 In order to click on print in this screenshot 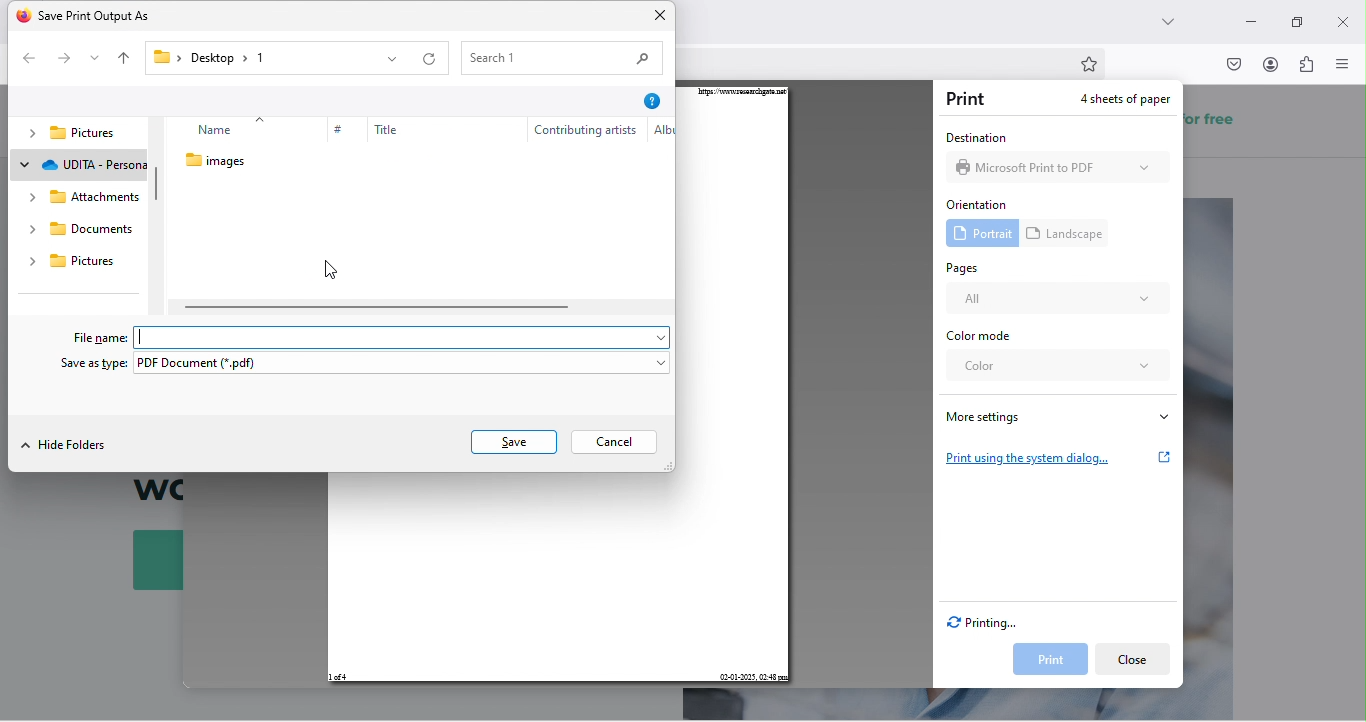, I will do `click(970, 100)`.